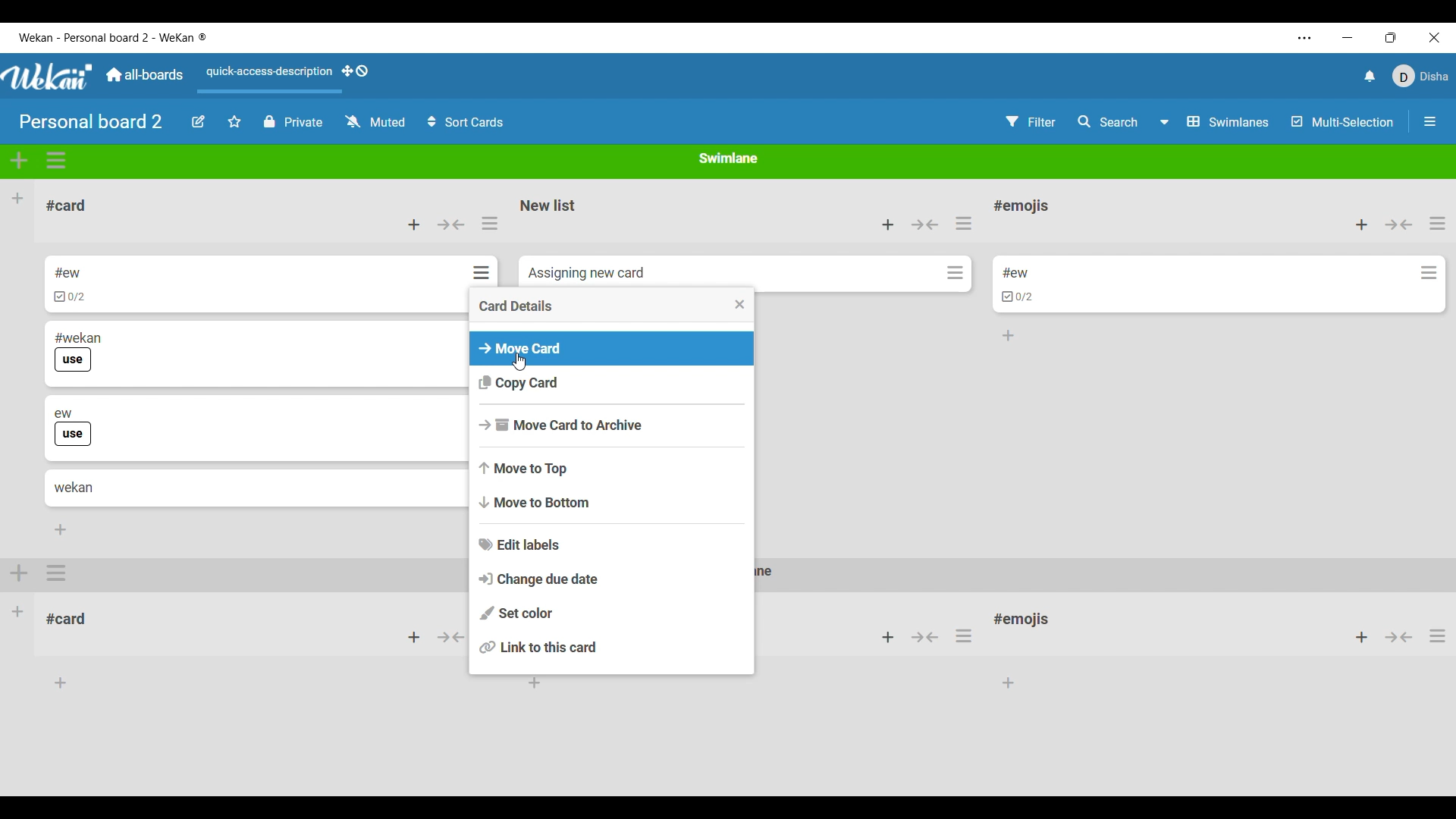 This screenshot has height=819, width=1456. Describe the element at coordinates (612, 544) in the screenshot. I see `Edit labels` at that location.